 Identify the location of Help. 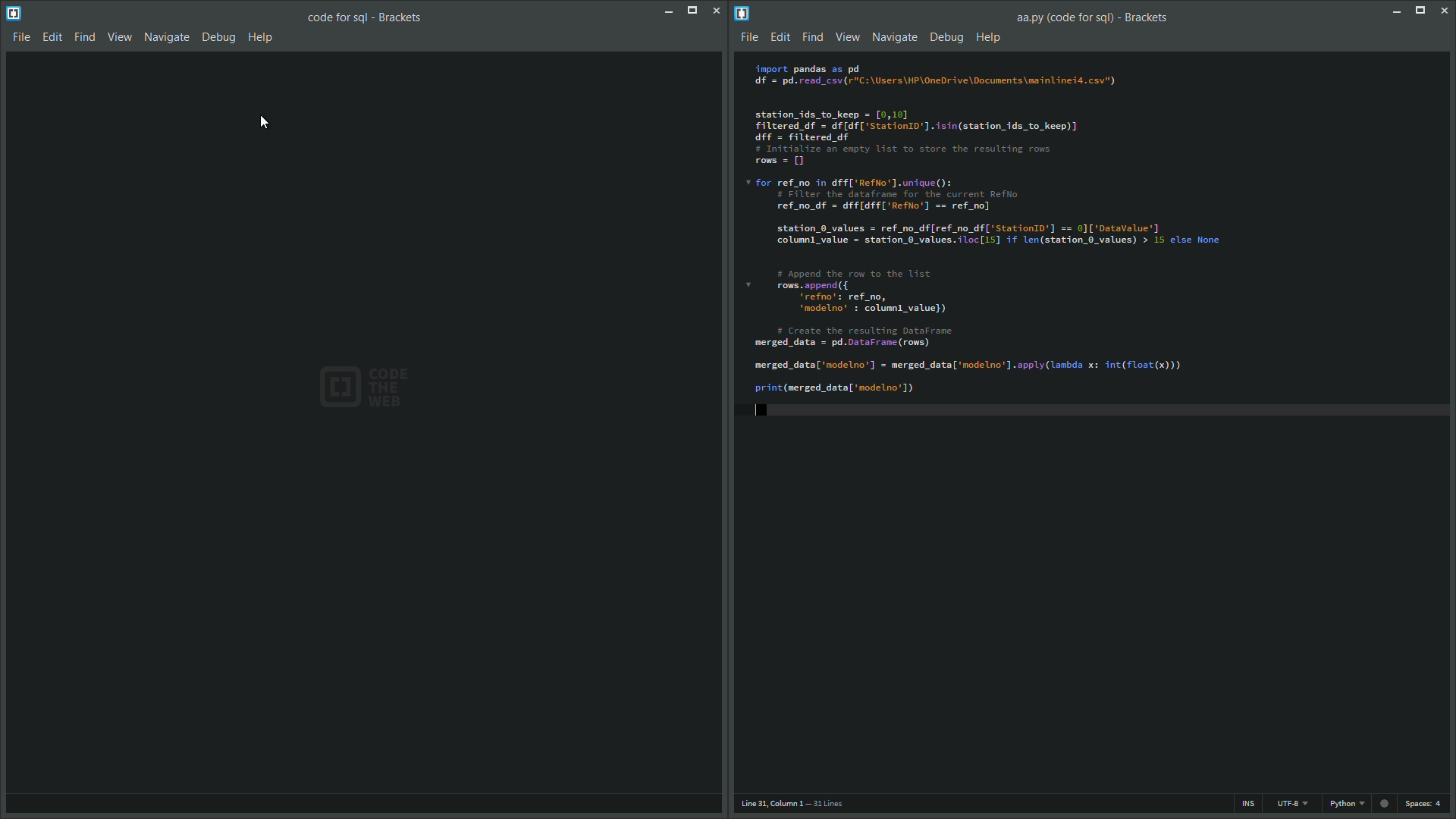
(991, 36).